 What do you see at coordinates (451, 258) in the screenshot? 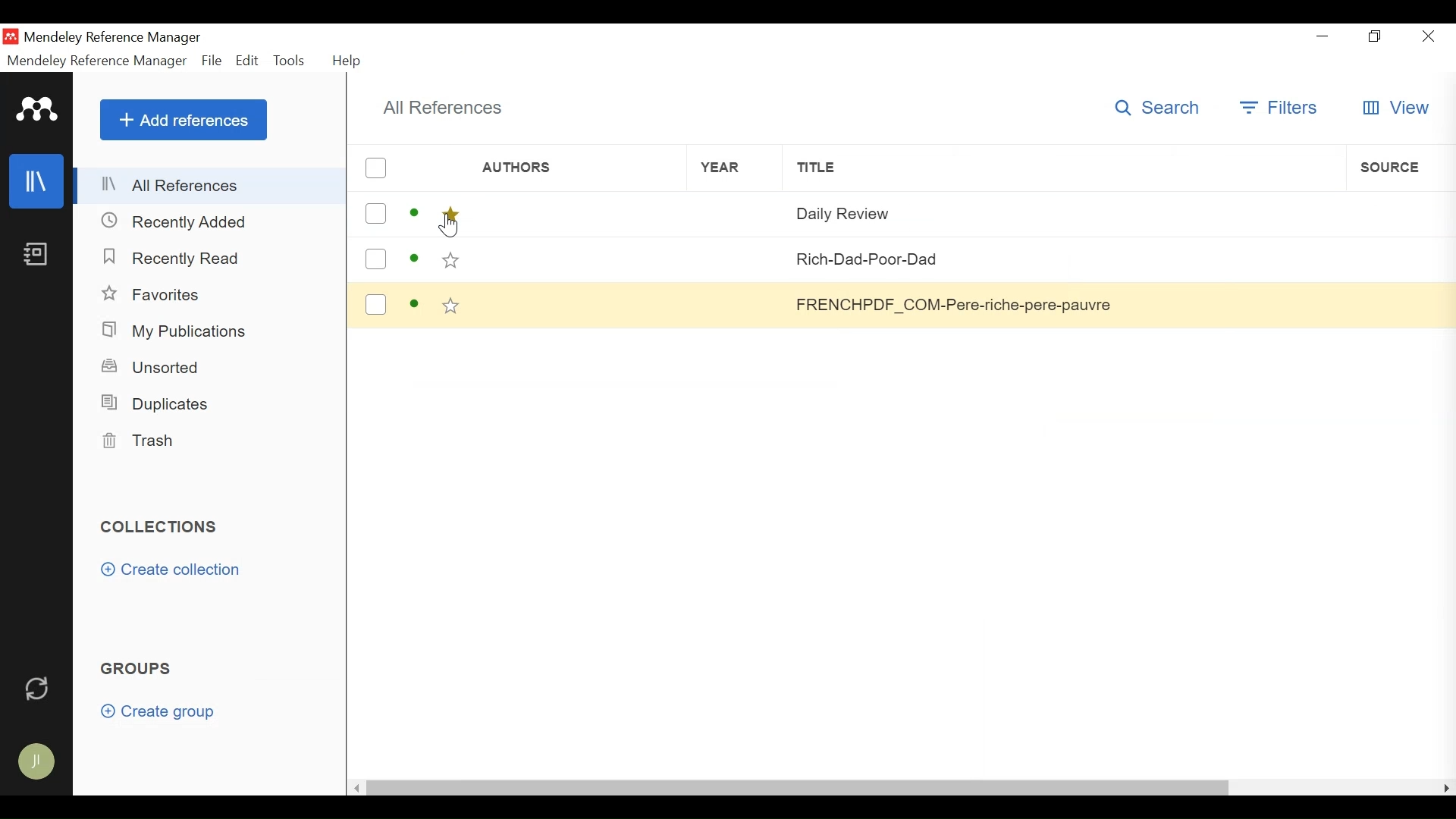
I see `(un)select Favorite"` at bounding box center [451, 258].